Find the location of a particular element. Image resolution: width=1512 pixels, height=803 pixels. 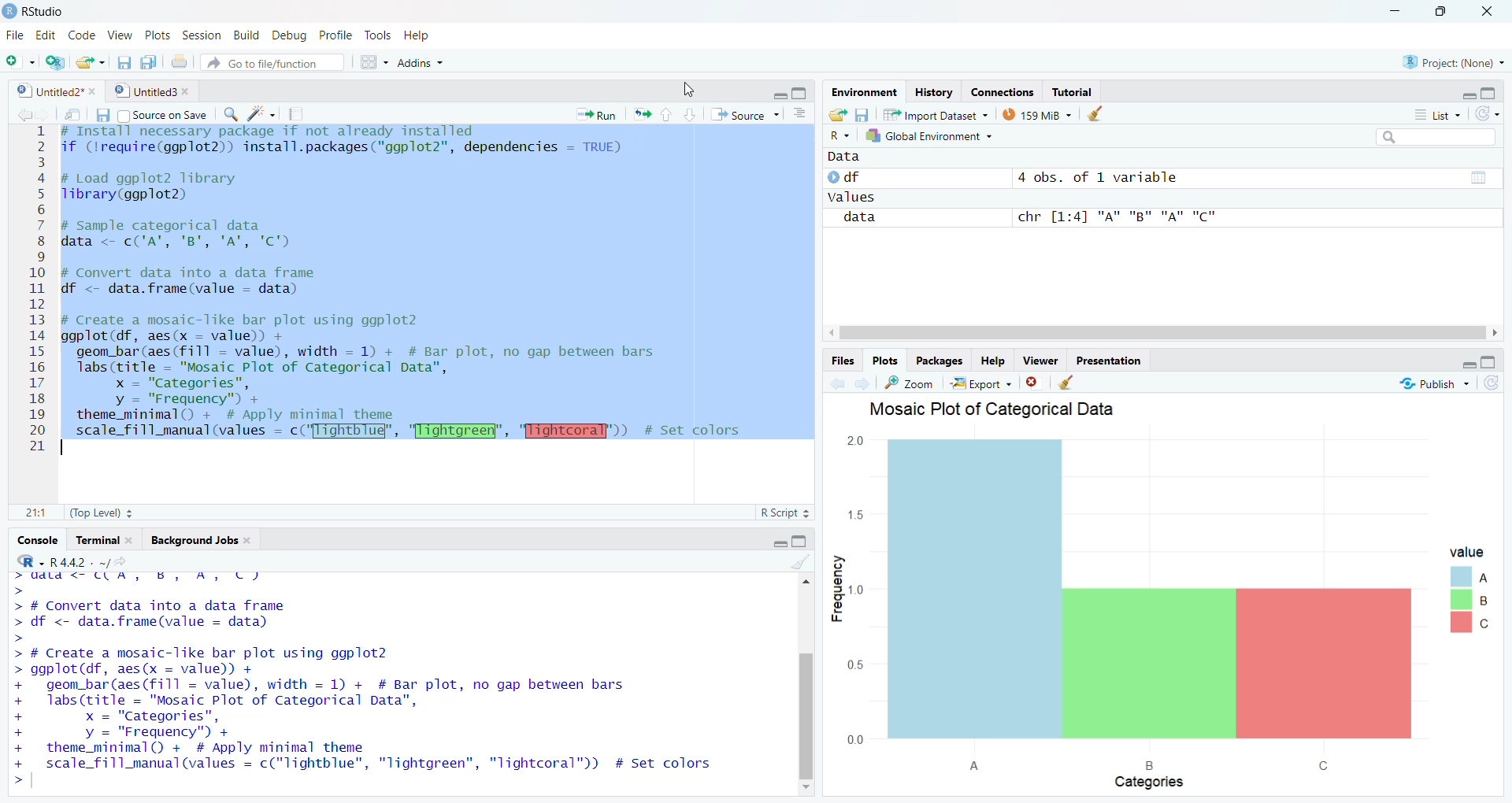

Show directory is located at coordinates (120, 563).